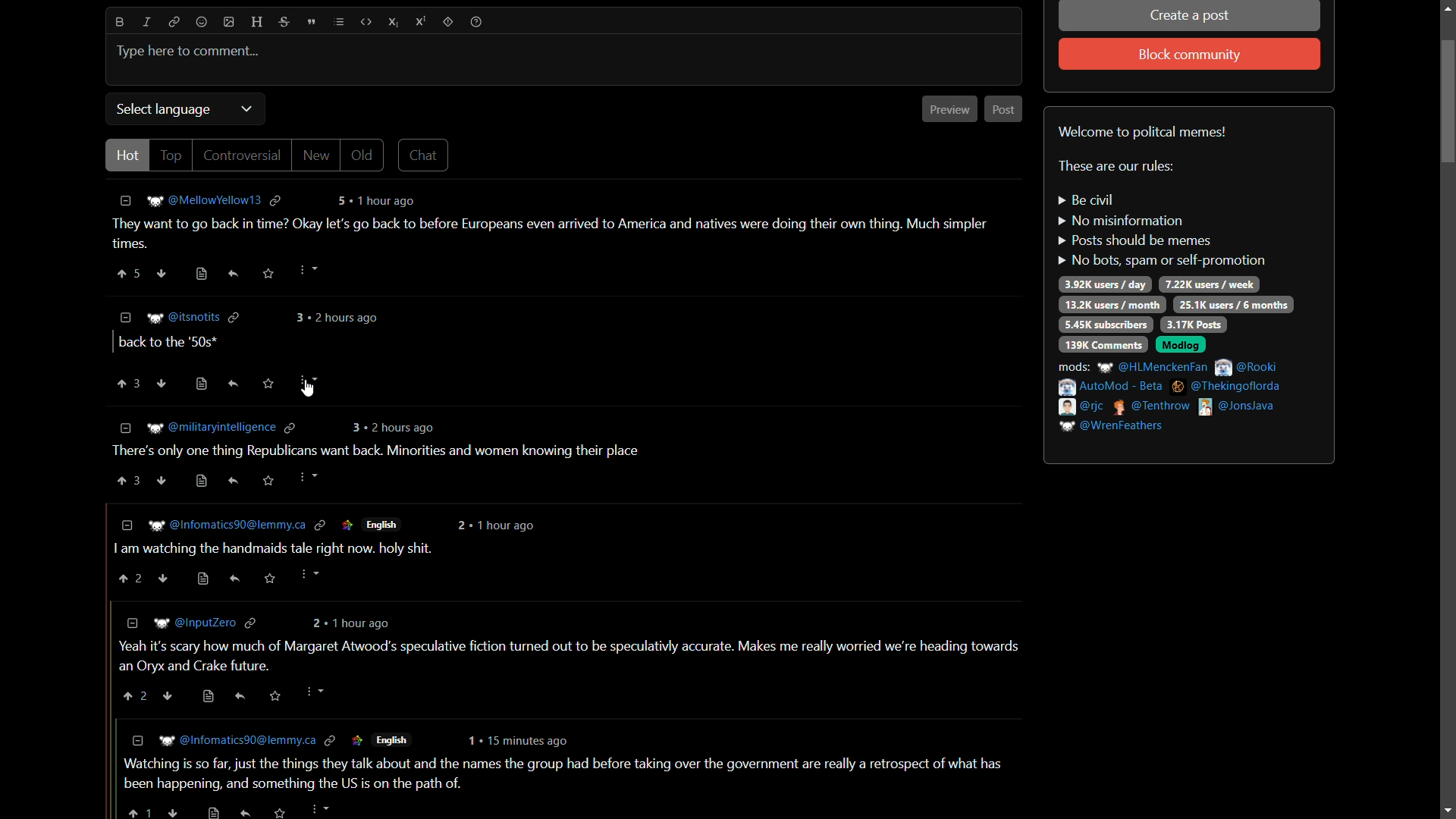  What do you see at coordinates (424, 155) in the screenshot?
I see `chat` at bounding box center [424, 155].